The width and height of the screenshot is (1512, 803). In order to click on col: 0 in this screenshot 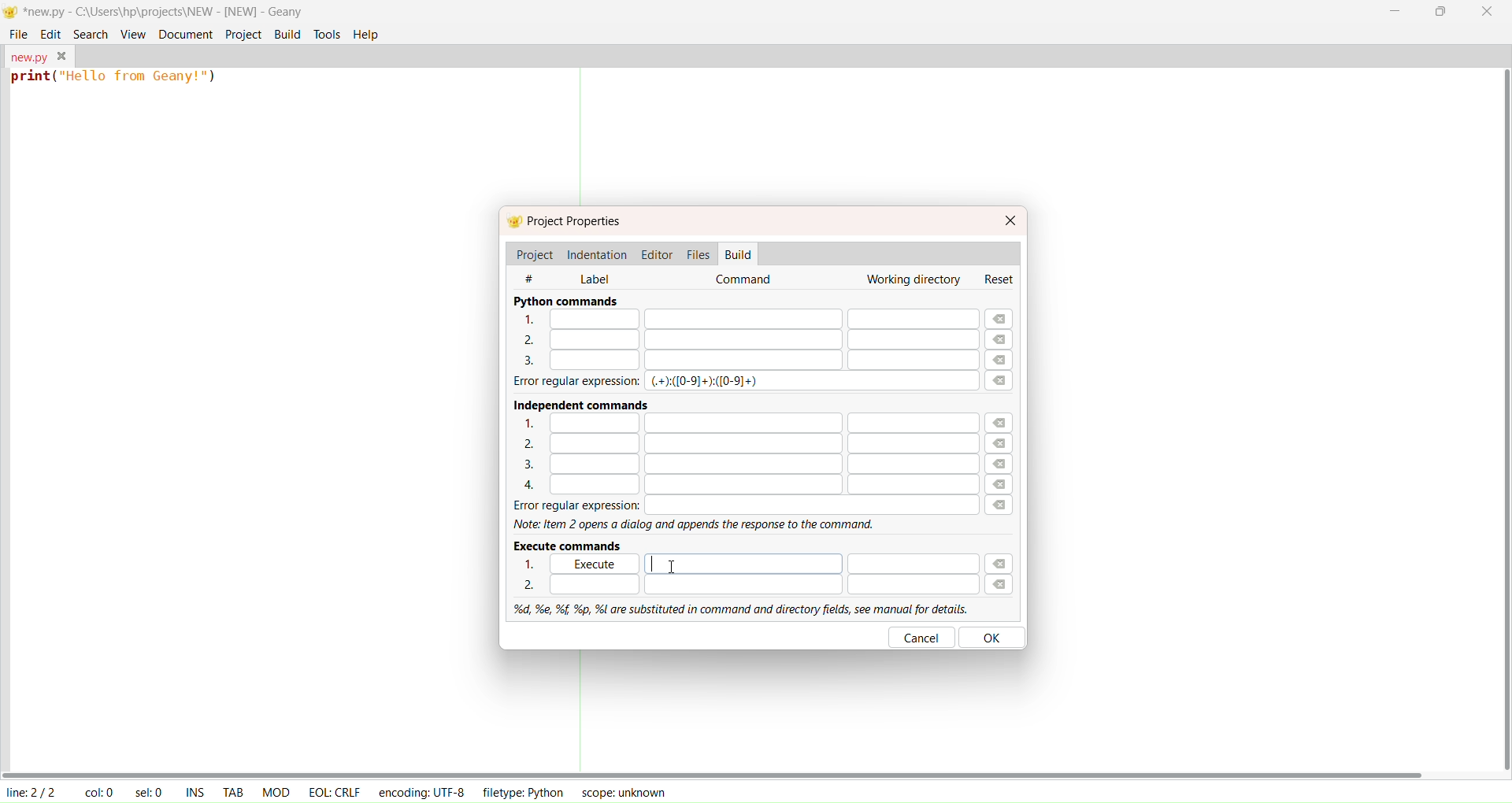, I will do `click(98, 792)`.